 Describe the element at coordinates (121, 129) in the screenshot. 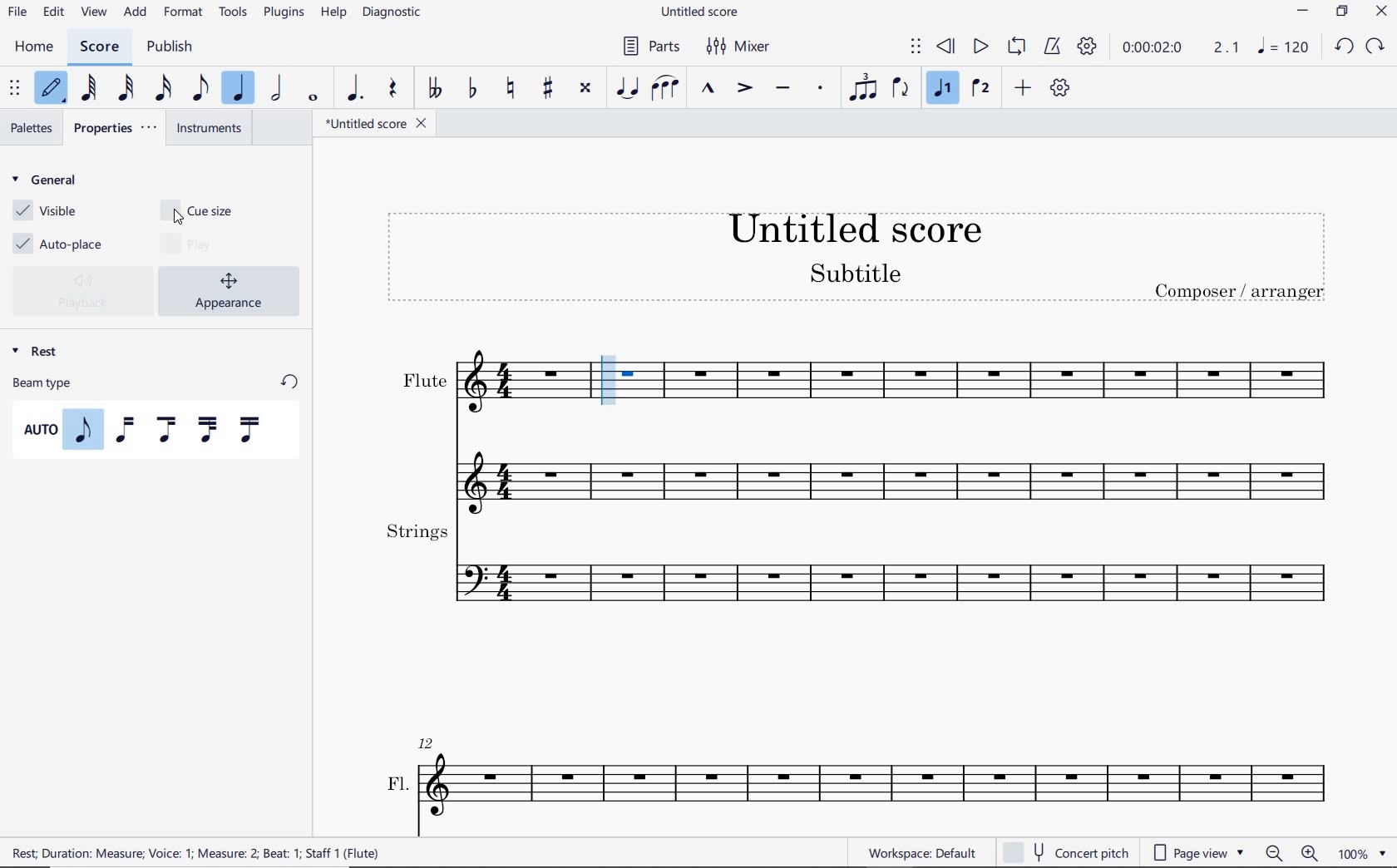

I see `PROPERTIES` at that location.